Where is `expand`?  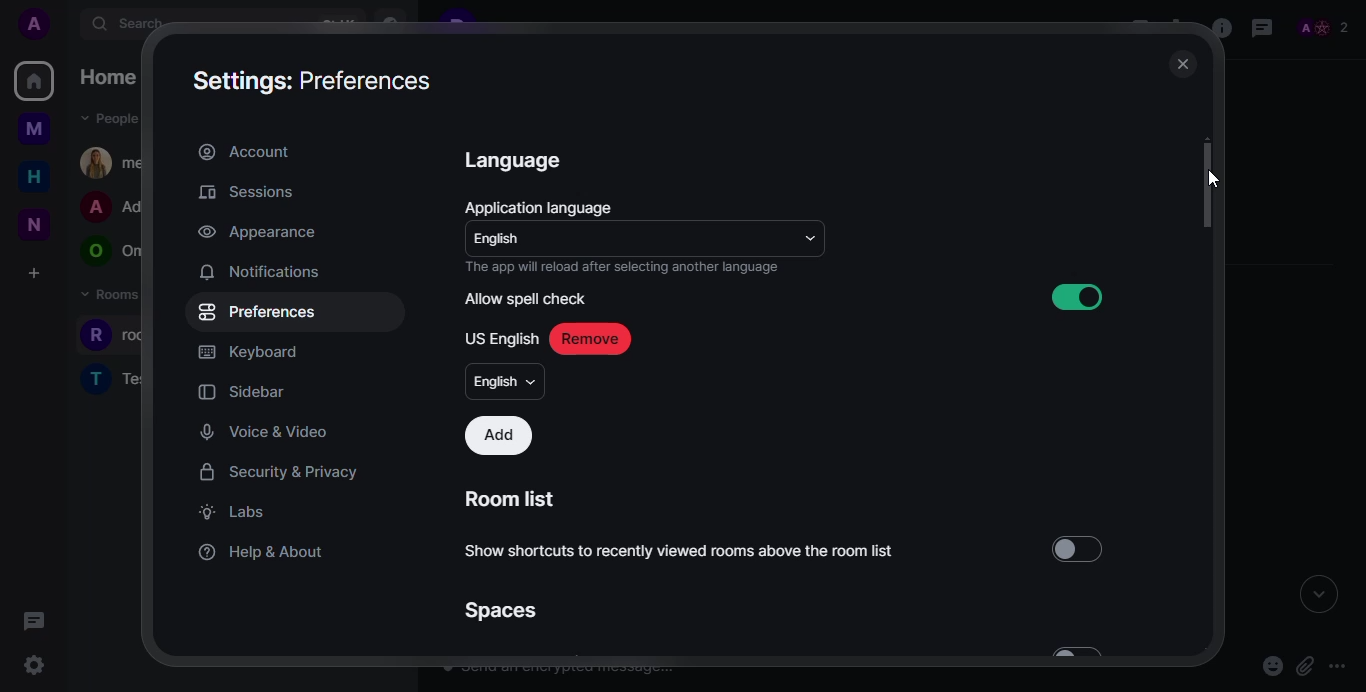
expand is located at coordinates (1318, 597).